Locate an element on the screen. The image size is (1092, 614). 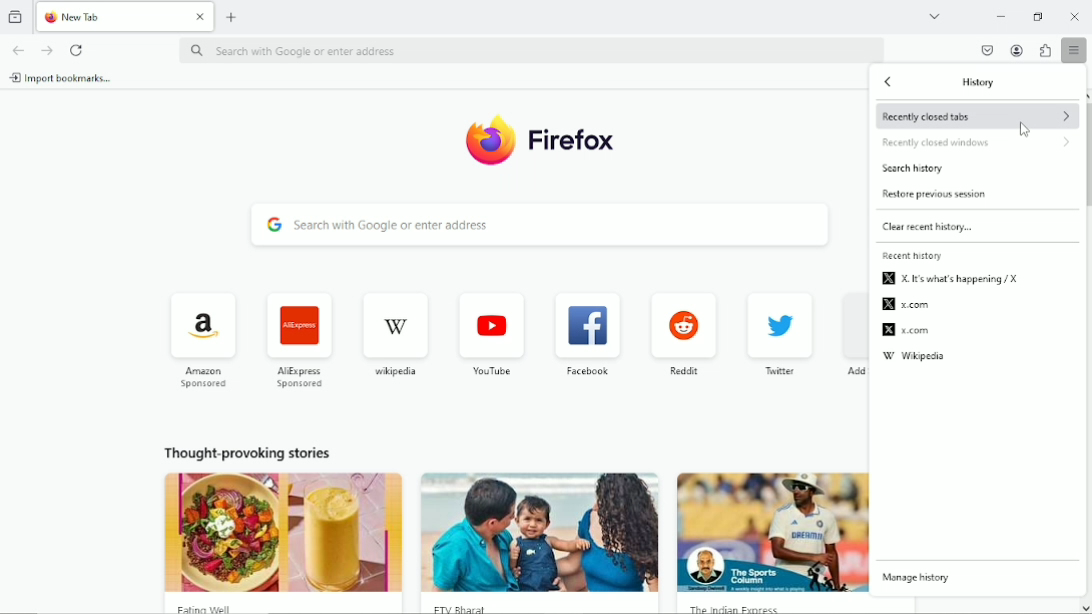
wikipedia is located at coordinates (393, 371).